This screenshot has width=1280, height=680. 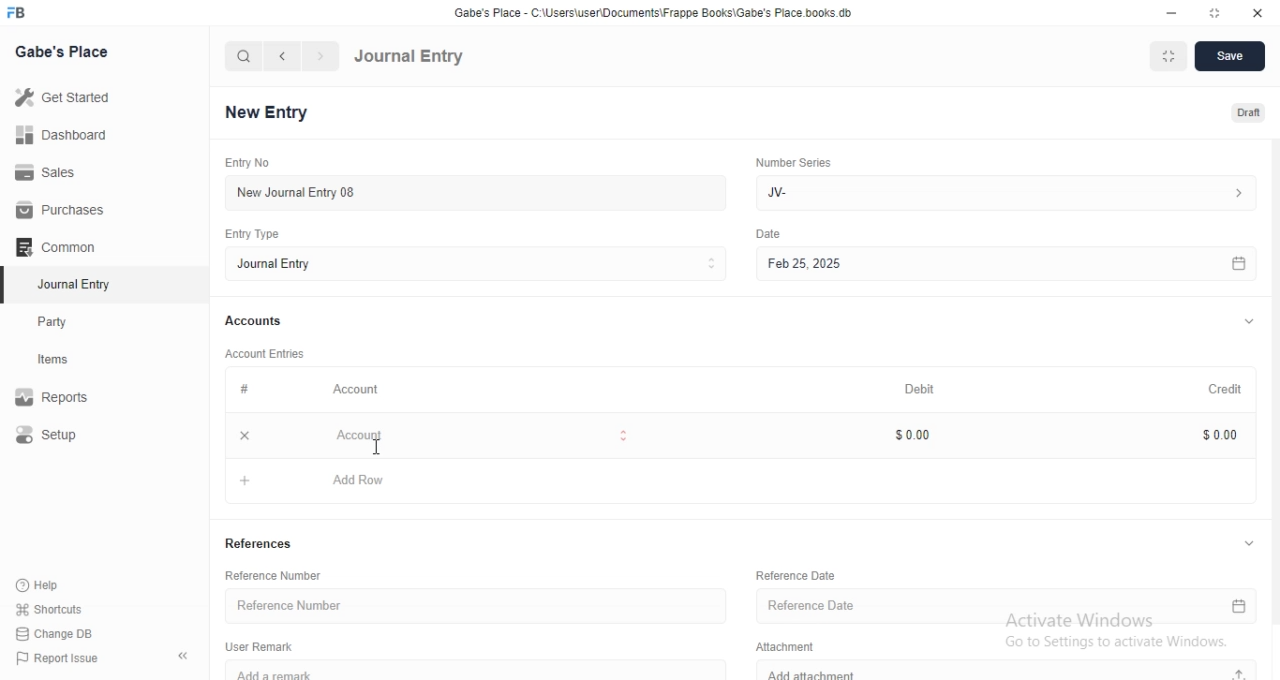 I want to click on Get Started, so click(x=68, y=101).